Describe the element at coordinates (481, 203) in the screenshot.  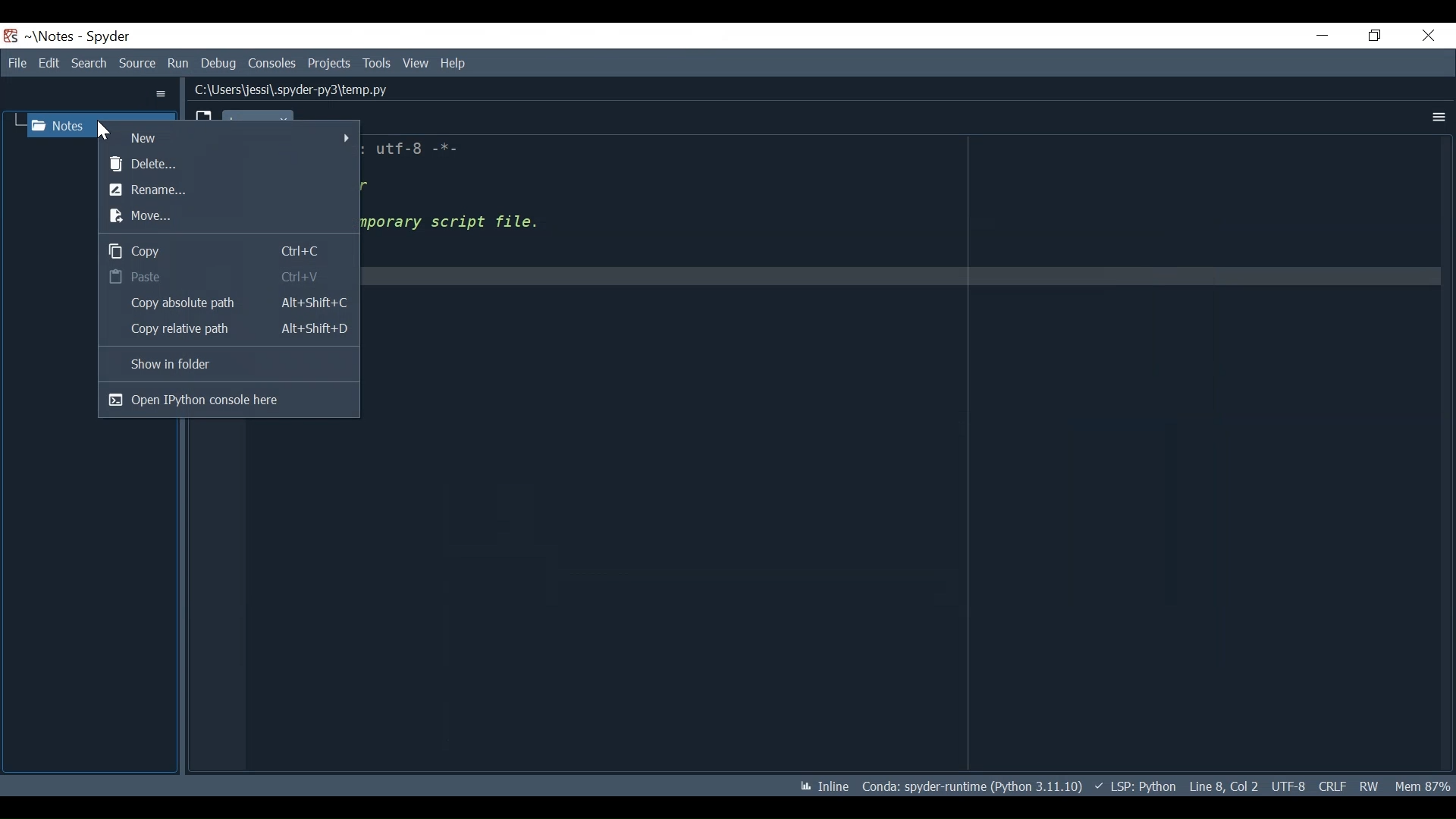
I see `utf-8   temporary script file.` at that location.